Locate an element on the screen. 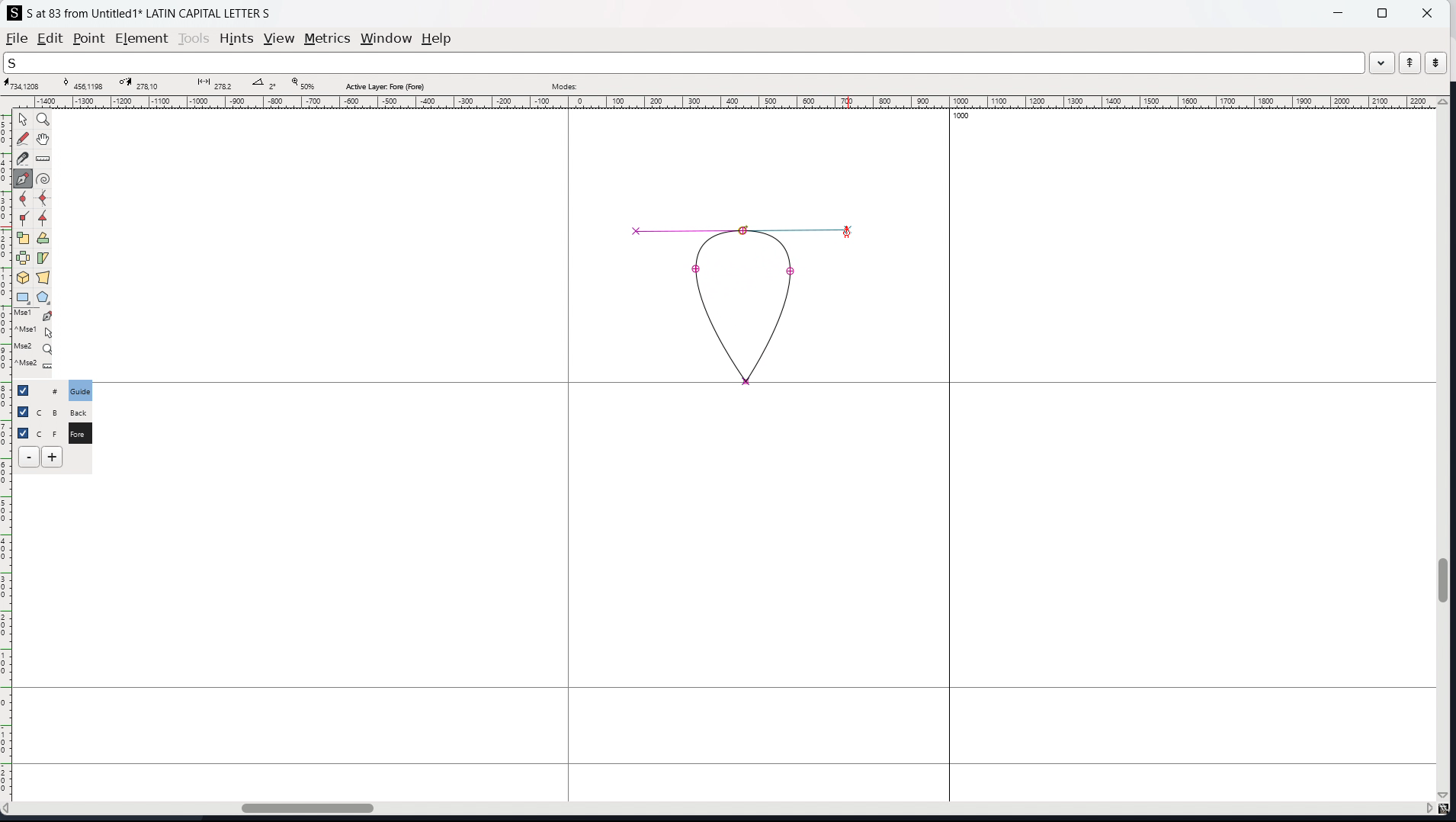  C B Back is located at coordinates (78, 410).